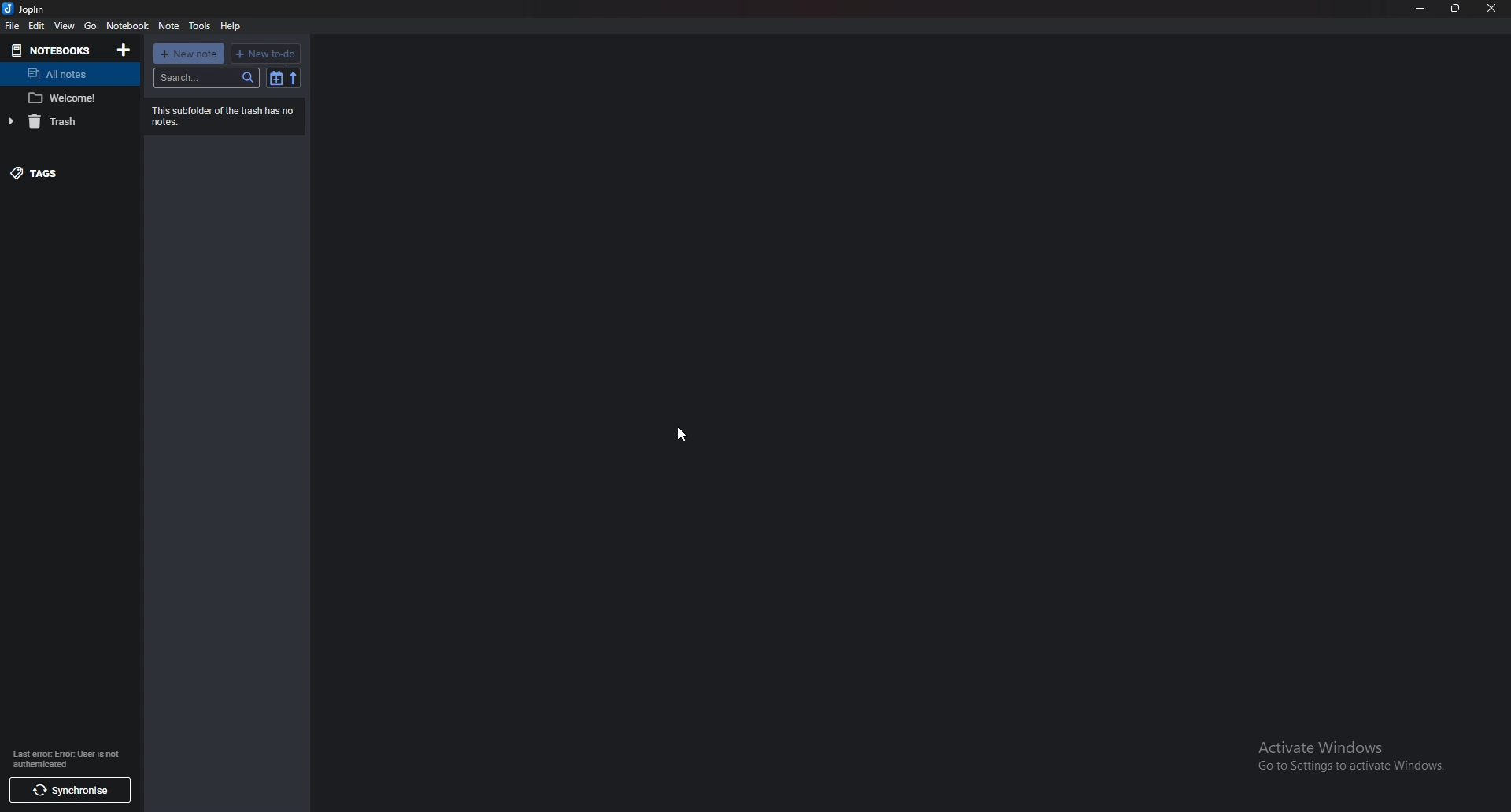 This screenshot has height=812, width=1511. What do you see at coordinates (37, 25) in the screenshot?
I see `Edit` at bounding box center [37, 25].